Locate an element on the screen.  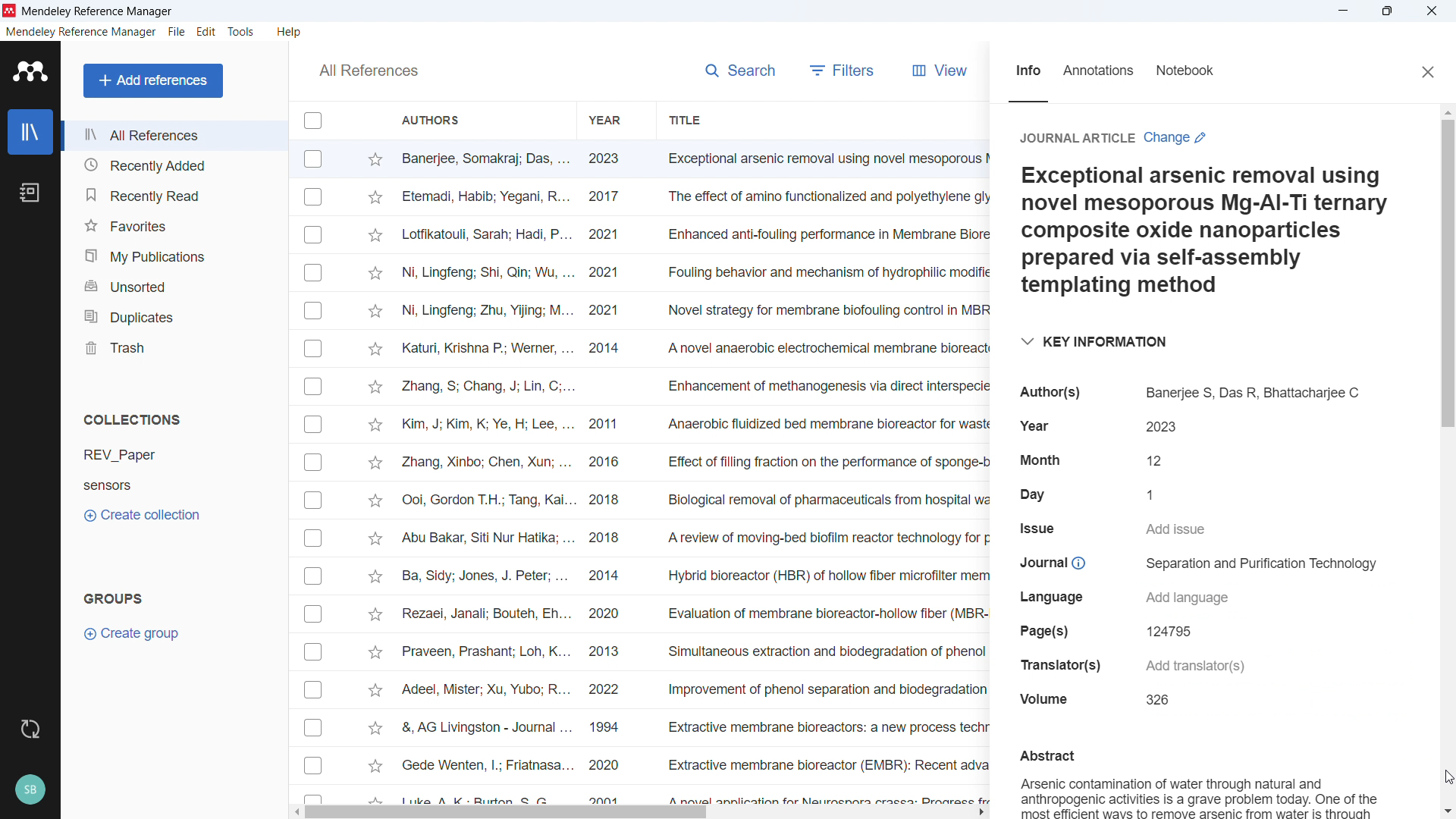
click to select individual entry is located at coordinates (315, 795).